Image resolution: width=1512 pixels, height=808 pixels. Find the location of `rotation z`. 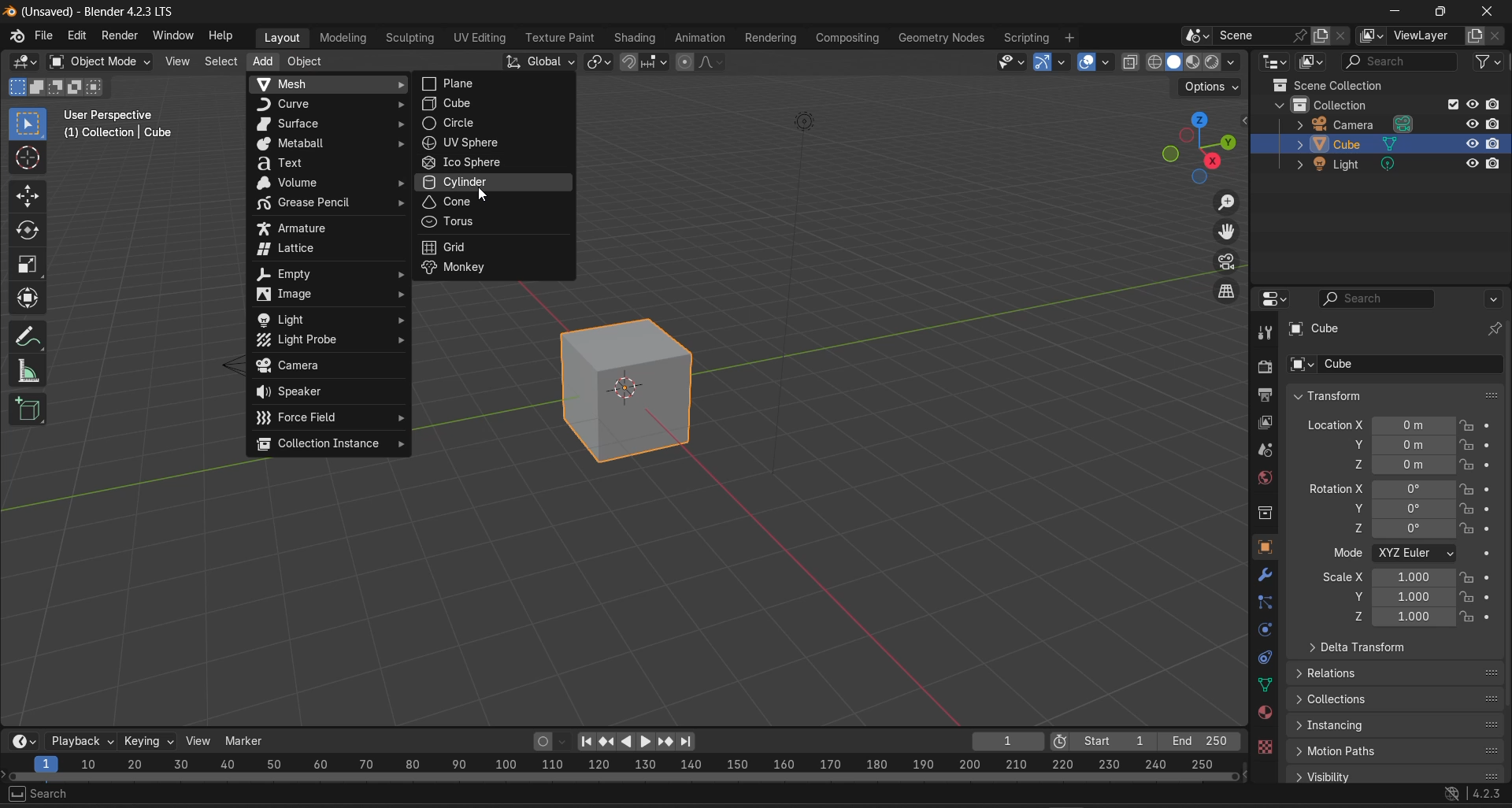

rotation z is located at coordinates (1404, 528).